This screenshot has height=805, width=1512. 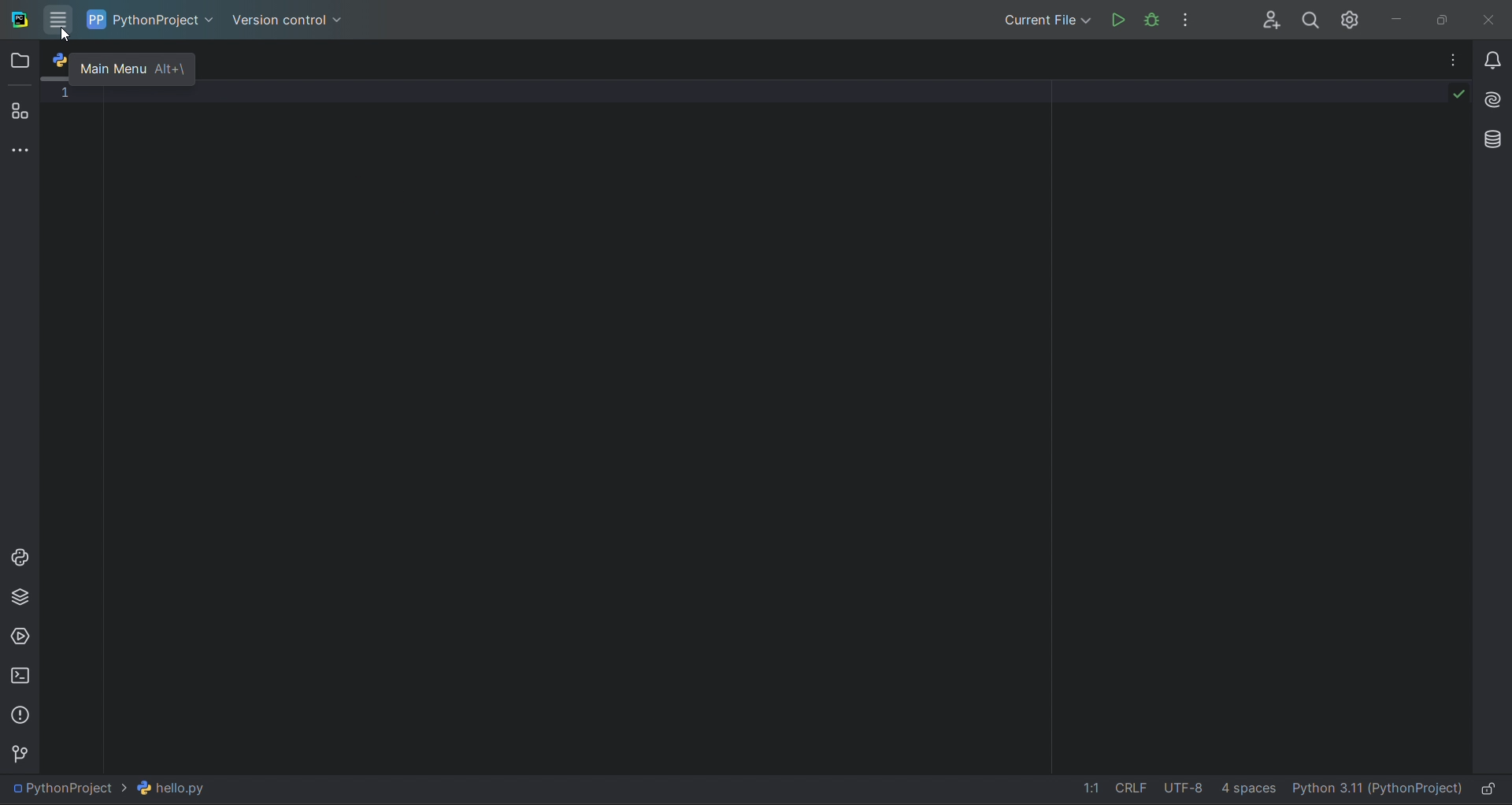 I want to click on version control, so click(x=294, y=20).